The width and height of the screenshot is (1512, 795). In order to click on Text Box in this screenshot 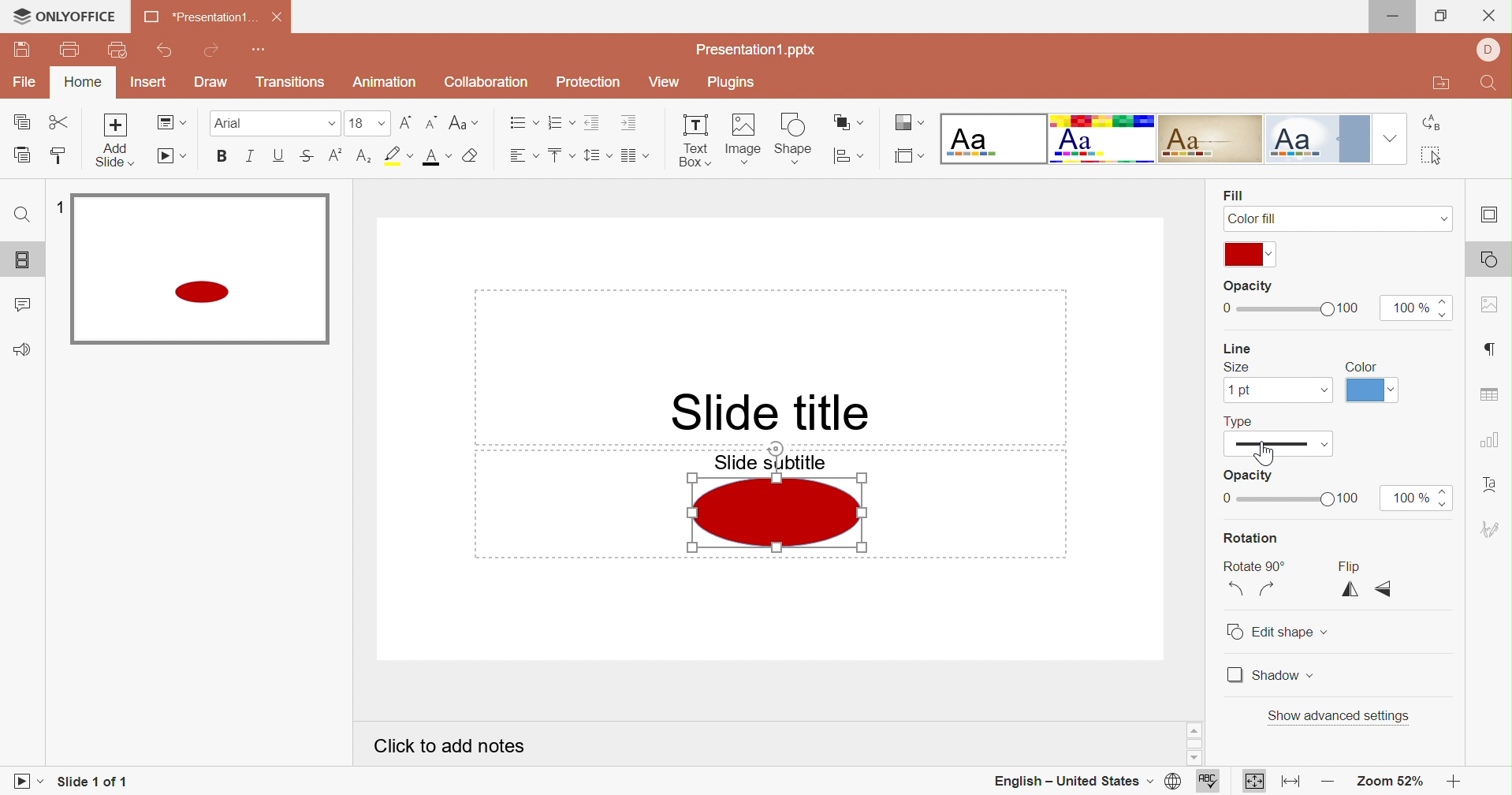, I will do `click(695, 142)`.